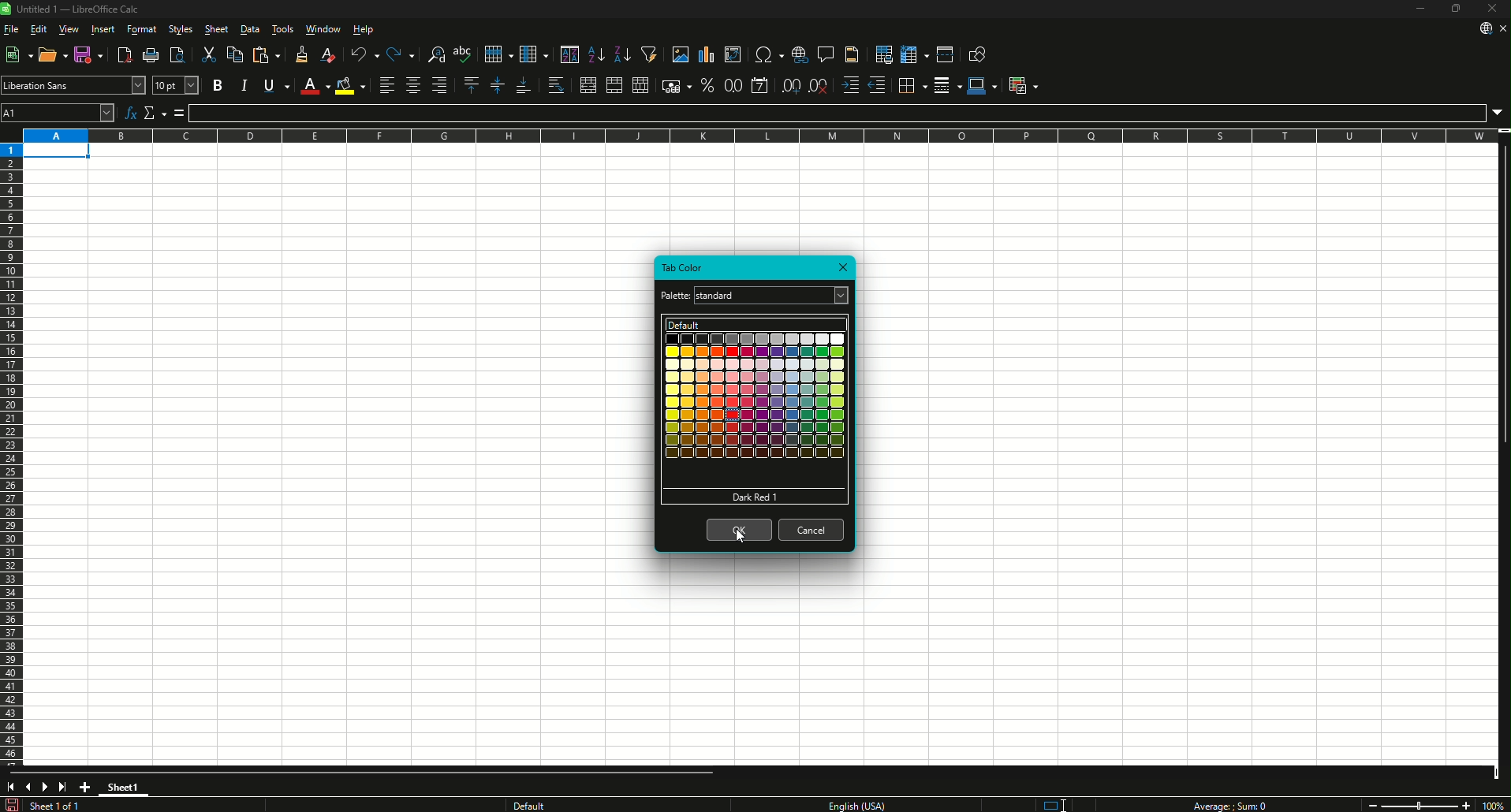 The height and width of the screenshot is (812, 1511). What do you see at coordinates (759, 136) in the screenshot?
I see `Column names` at bounding box center [759, 136].